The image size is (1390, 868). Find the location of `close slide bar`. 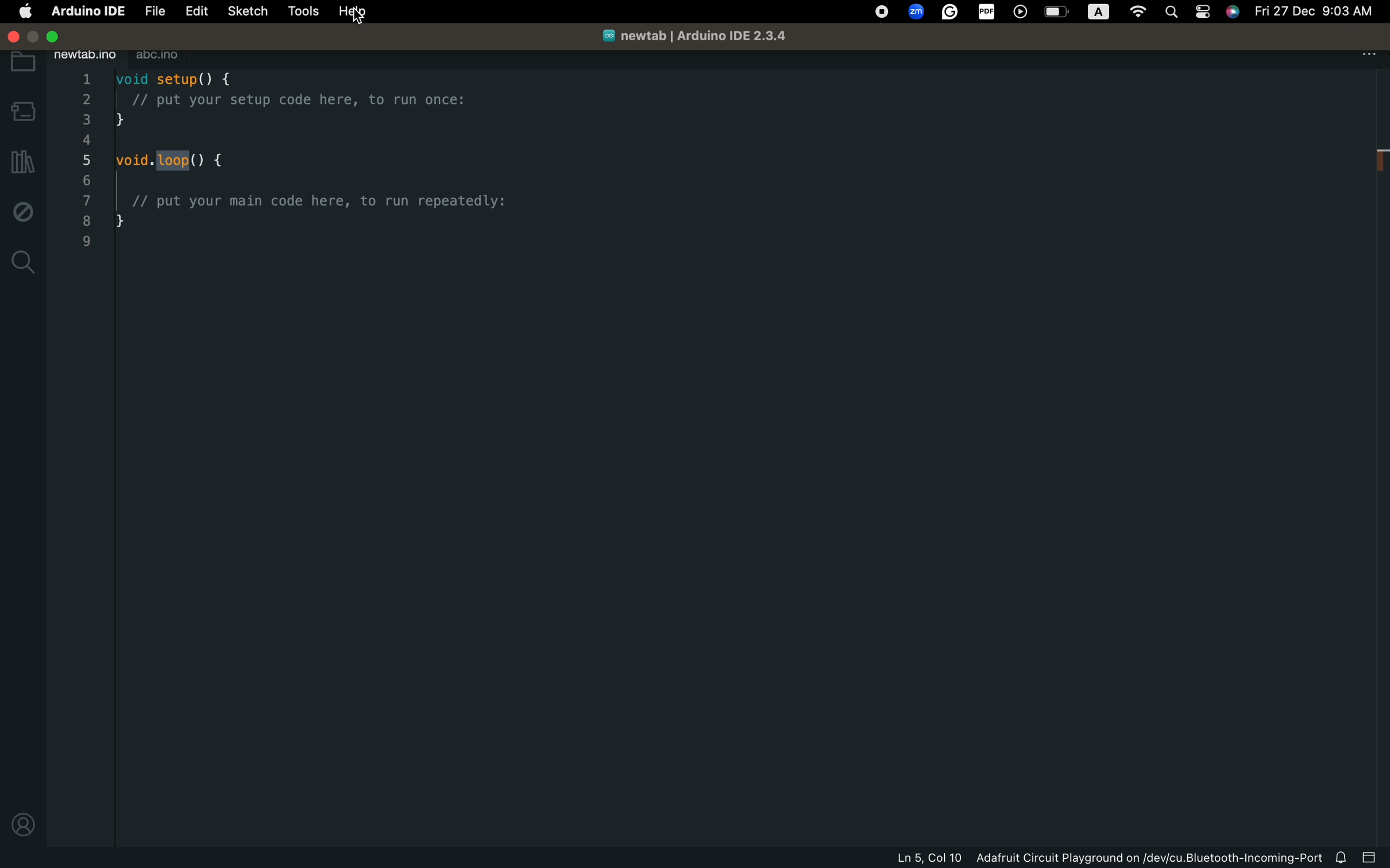

close slide bar is located at coordinates (1370, 857).